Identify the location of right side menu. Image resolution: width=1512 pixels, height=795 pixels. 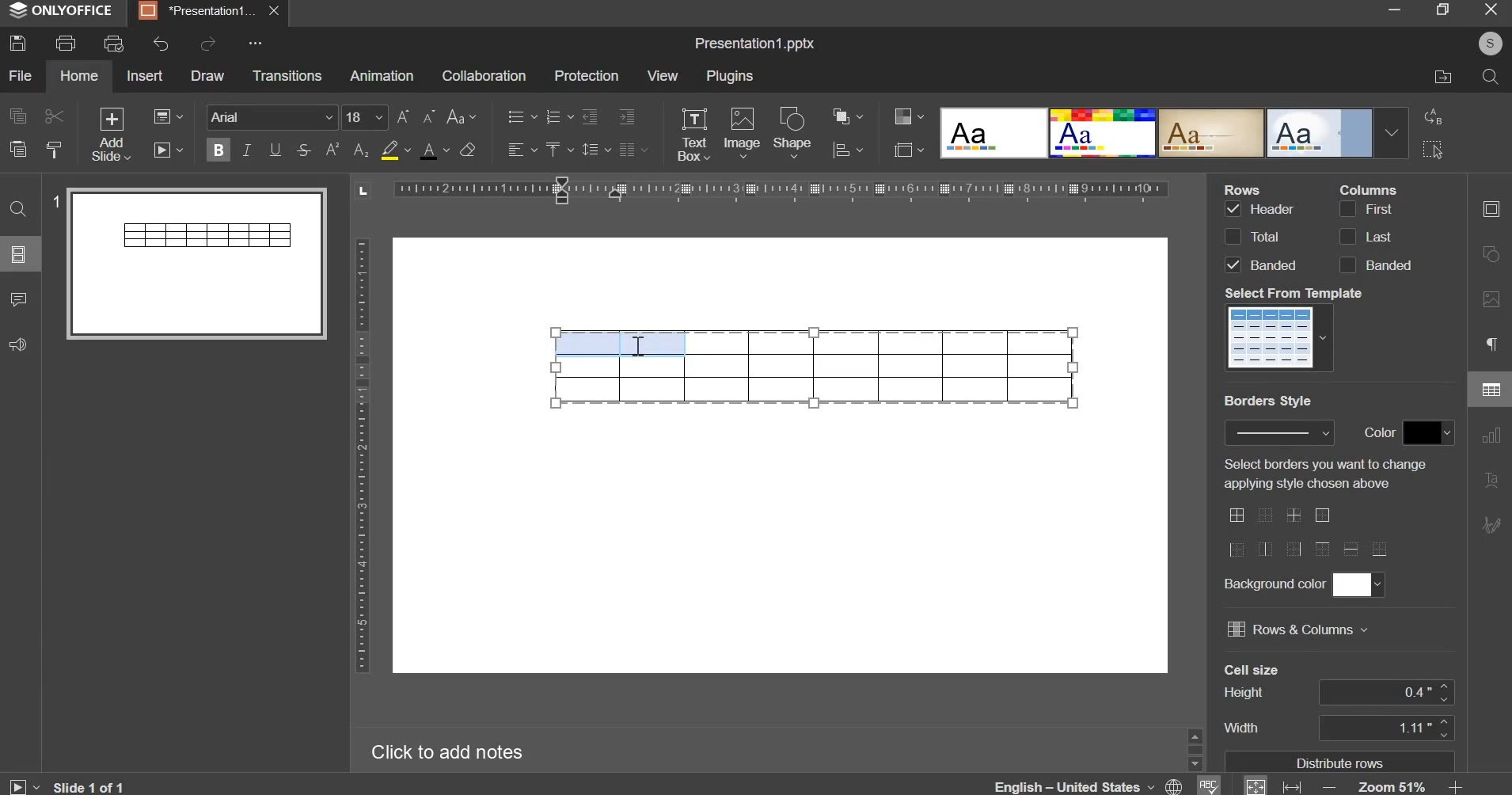
(1491, 371).